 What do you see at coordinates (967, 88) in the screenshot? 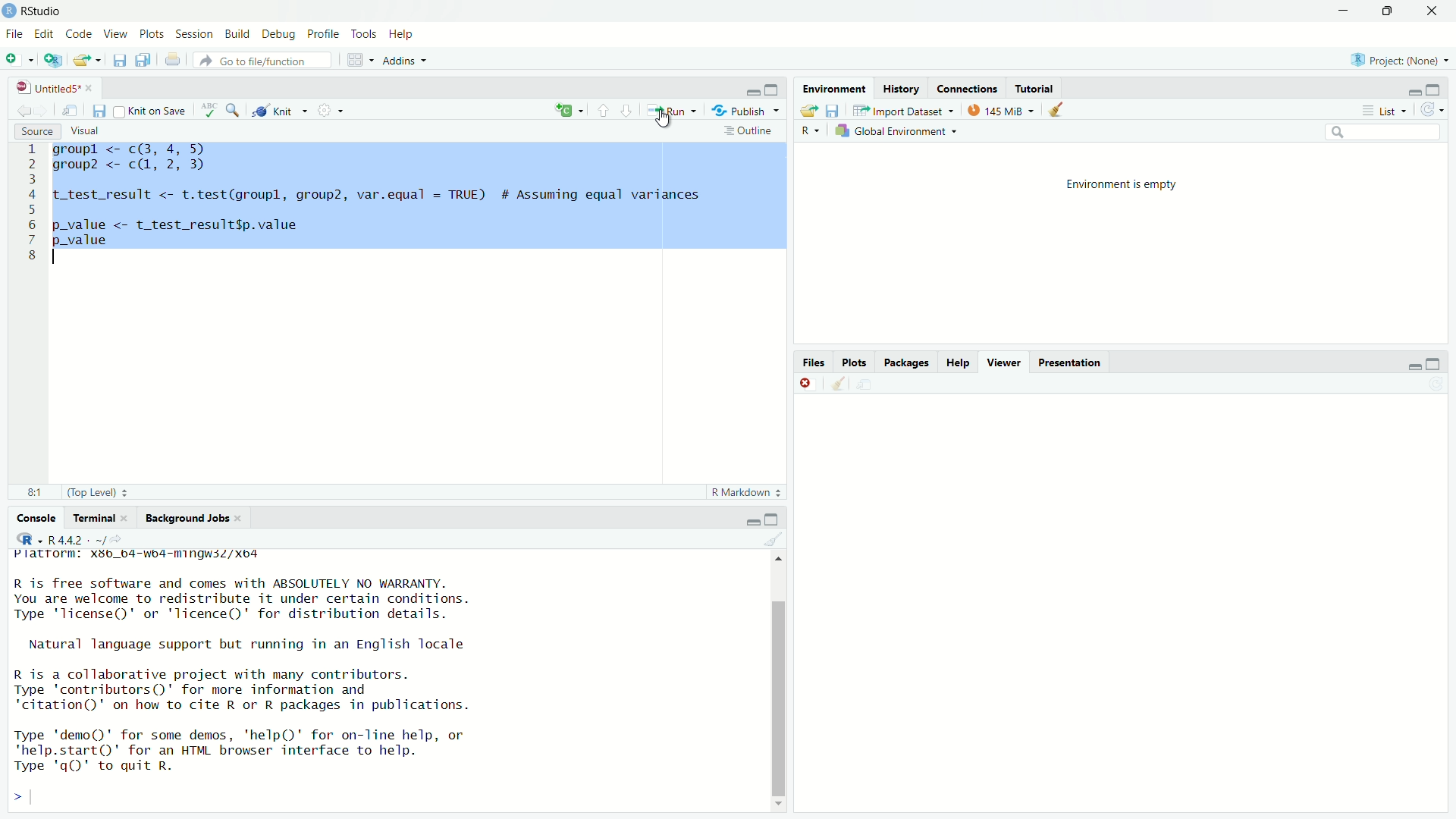
I see `Connections` at bounding box center [967, 88].